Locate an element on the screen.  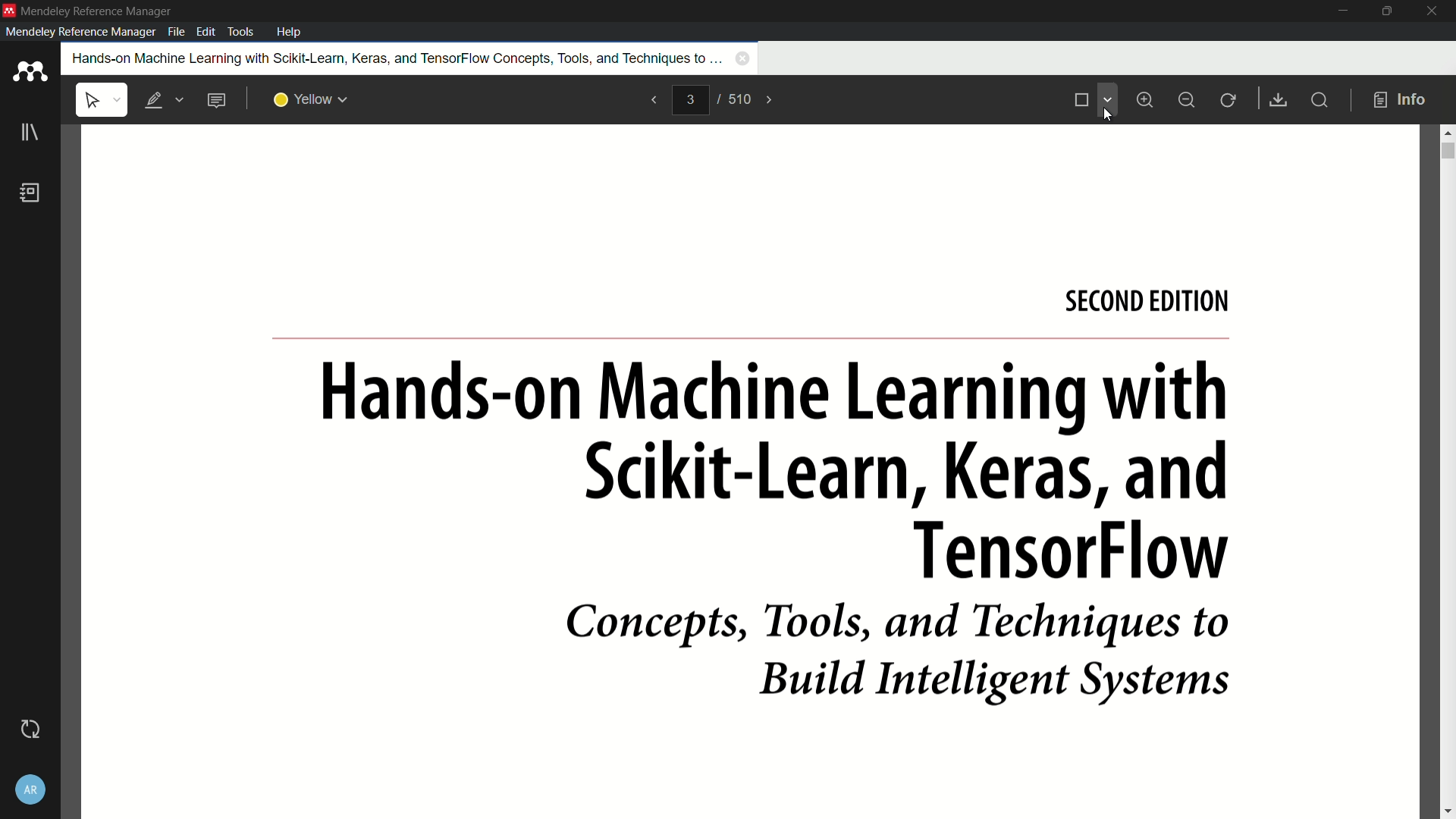
close book is located at coordinates (743, 58).